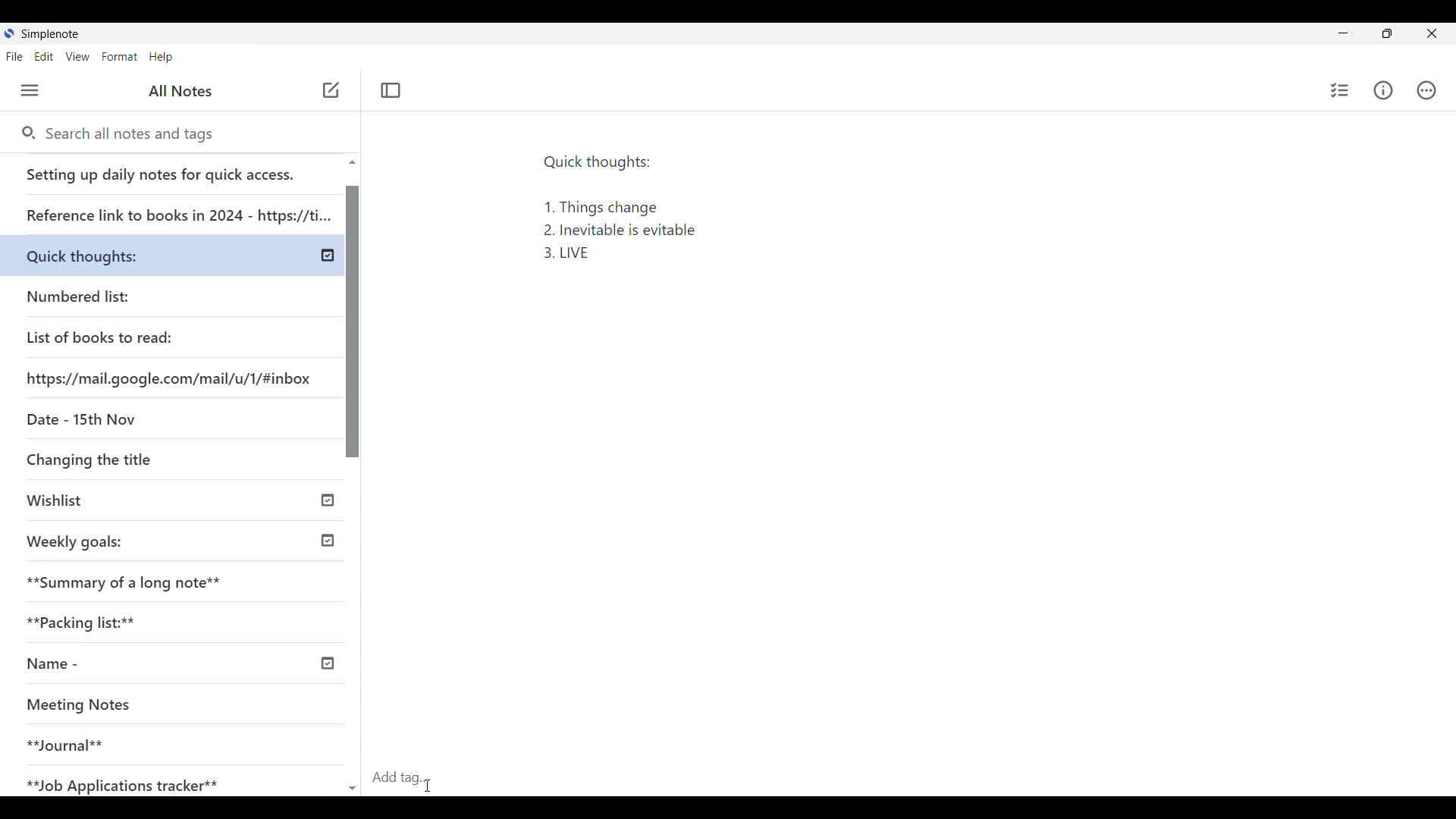 The height and width of the screenshot is (819, 1456). Describe the element at coordinates (153, 706) in the screenshot. I see `Meeting Notes` at that location.